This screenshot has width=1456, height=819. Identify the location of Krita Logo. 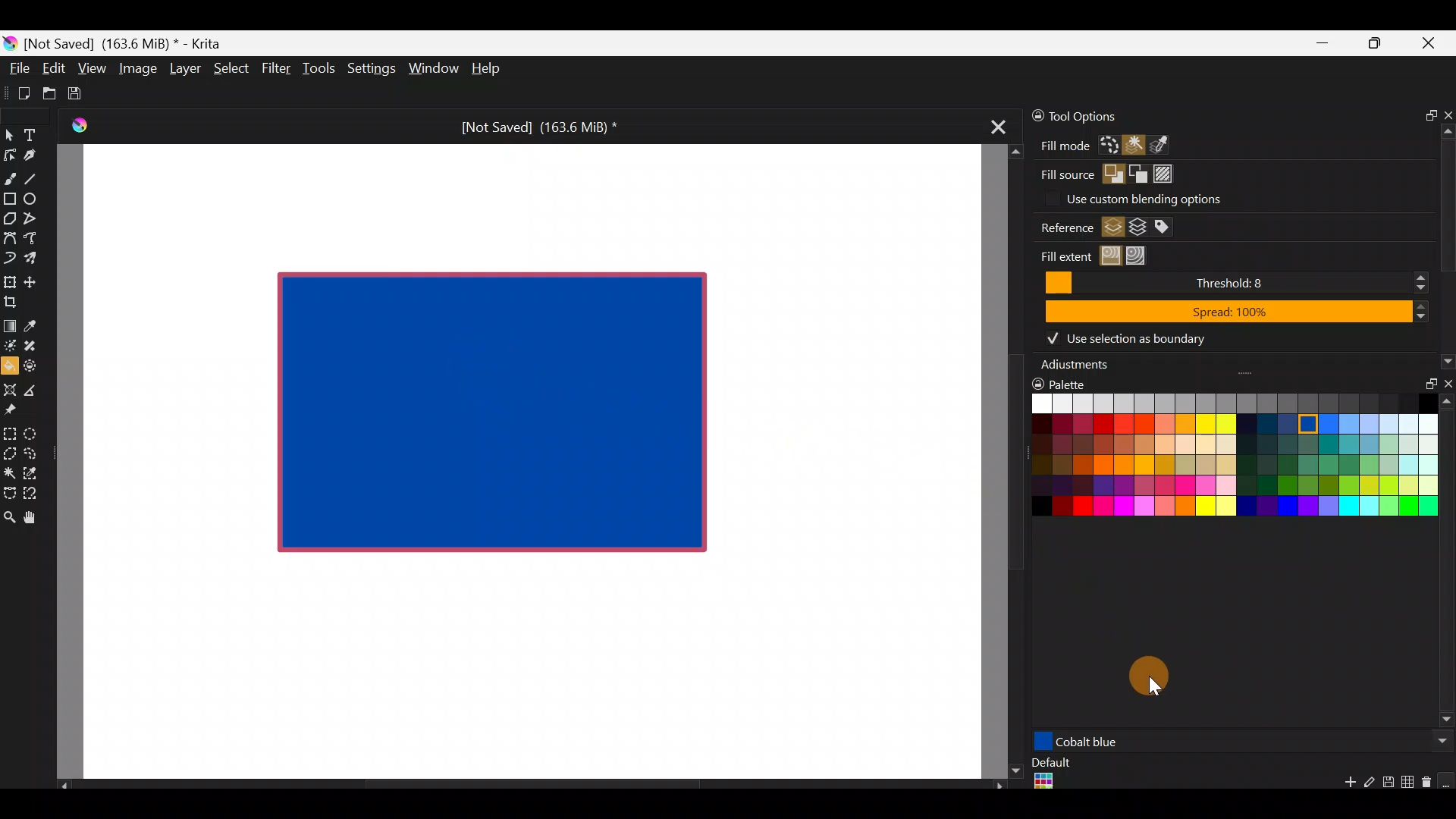
(80, 124).